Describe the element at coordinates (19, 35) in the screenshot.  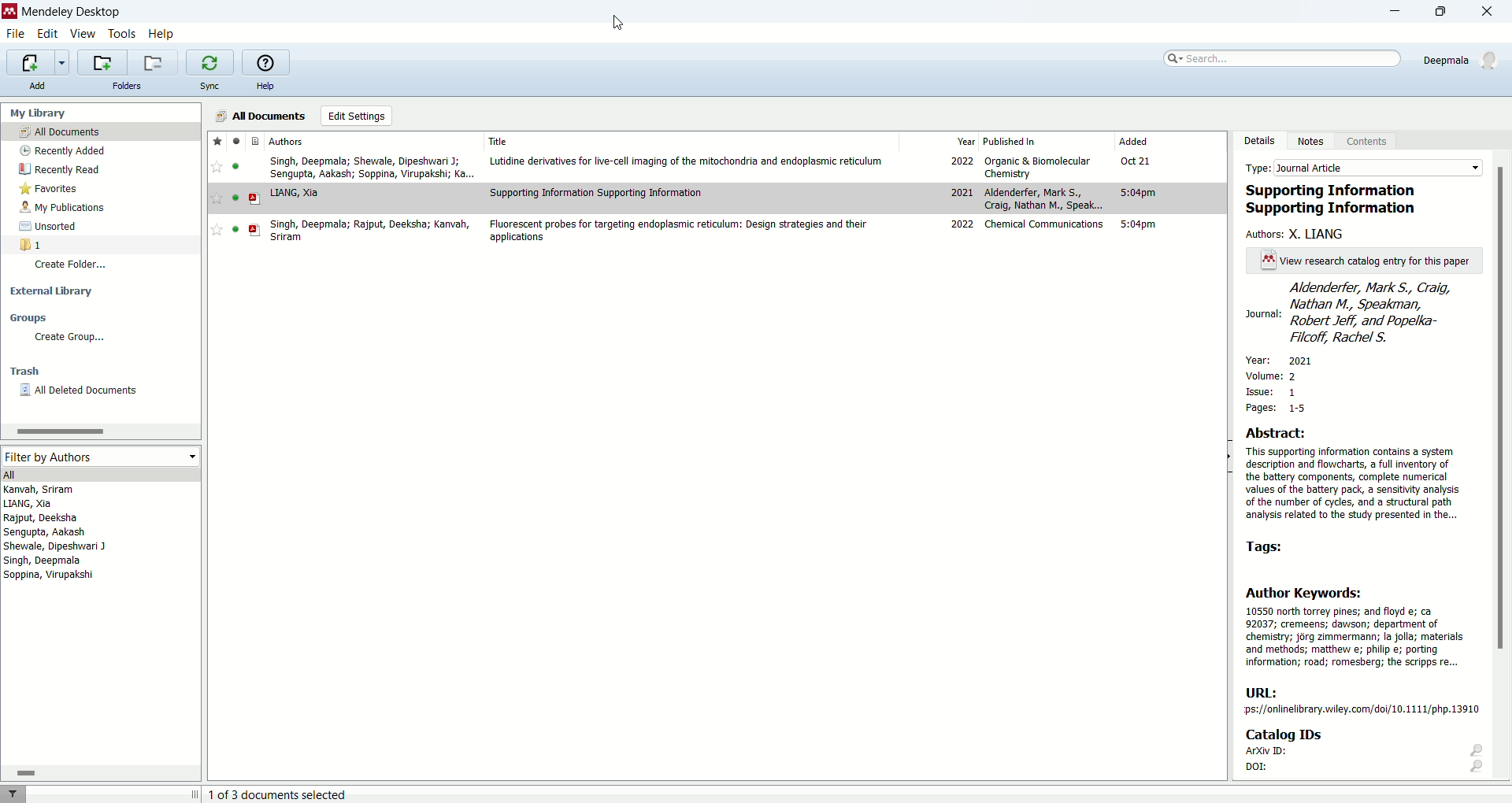
I see `file` at that location.